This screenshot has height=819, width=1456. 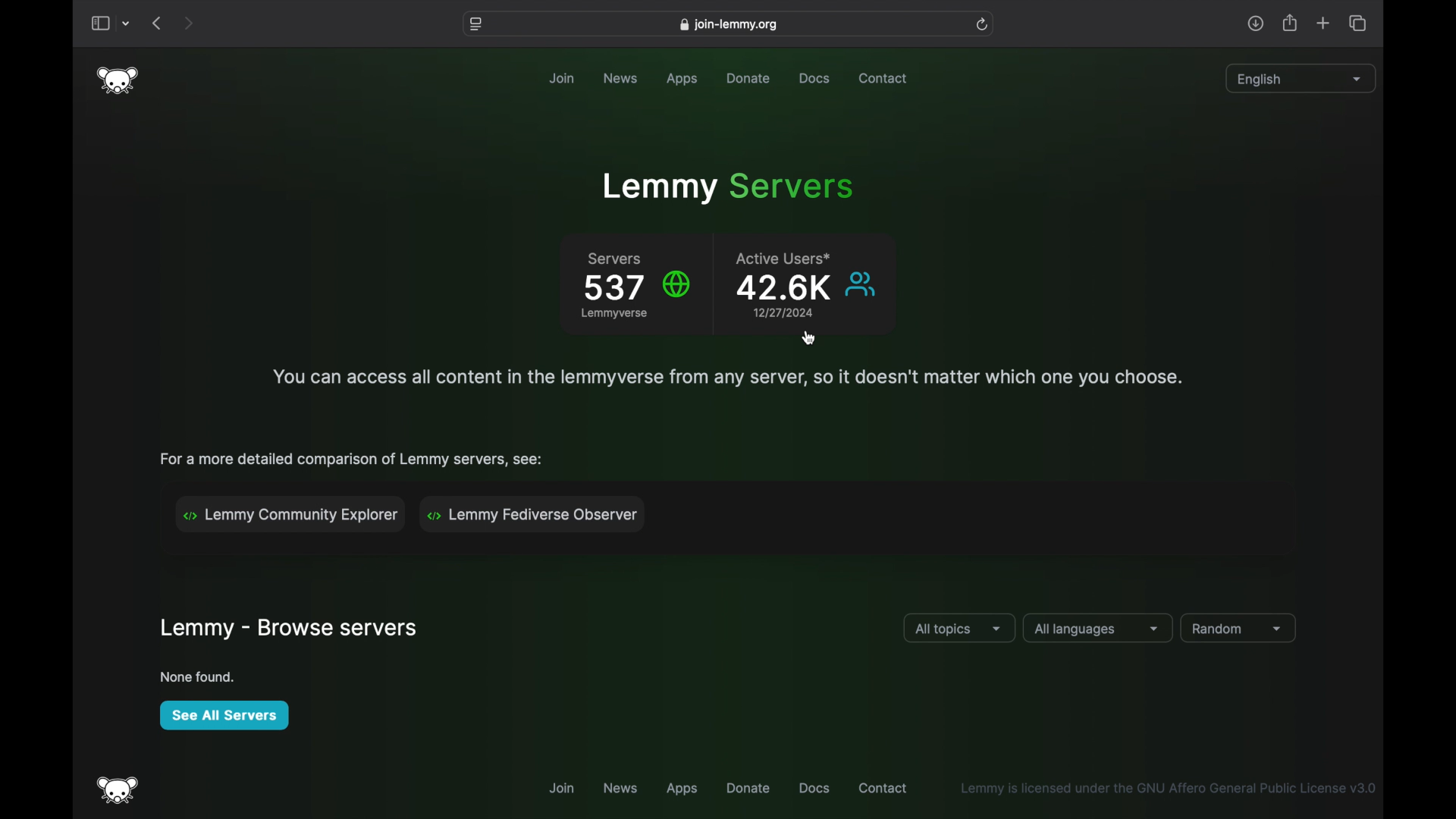 What do you see at coordinates (679, 284) in the screenshot?
I see `Globe icon` at bounding box center [679, 284].